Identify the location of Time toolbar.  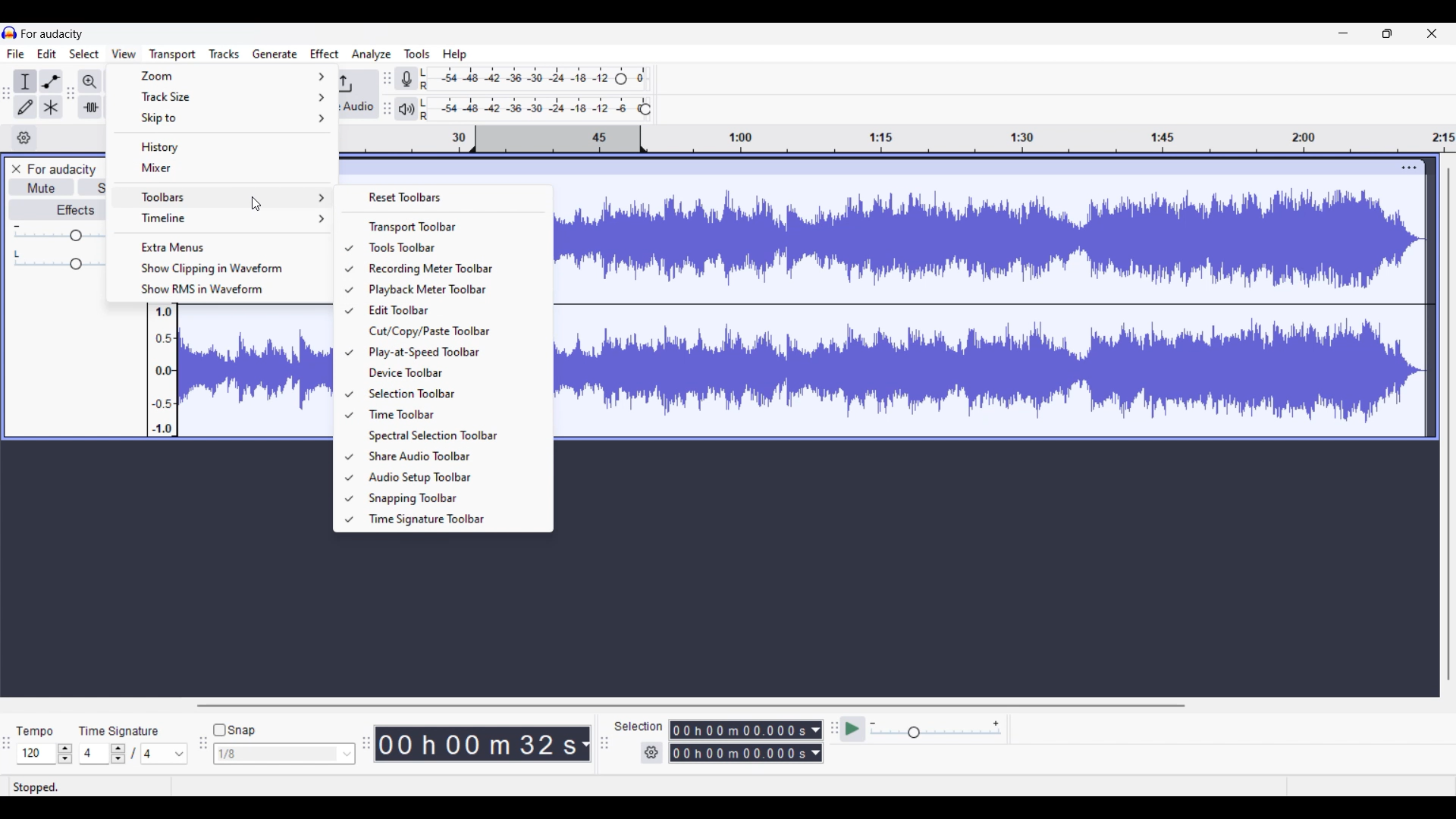
(453, 414).